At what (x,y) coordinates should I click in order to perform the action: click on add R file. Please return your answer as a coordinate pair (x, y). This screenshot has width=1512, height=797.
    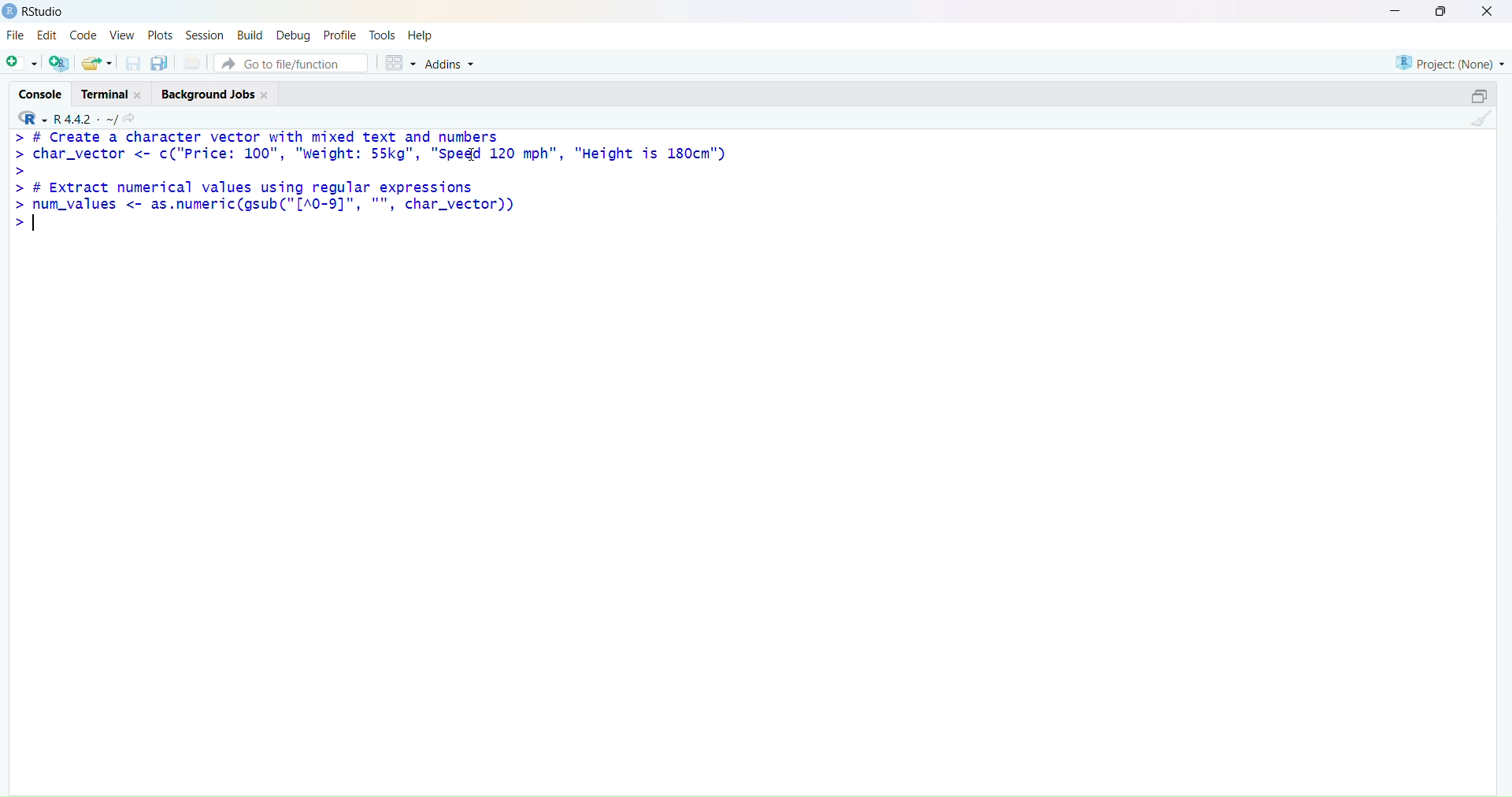
    Looking at the image, I should click on (59, 63).